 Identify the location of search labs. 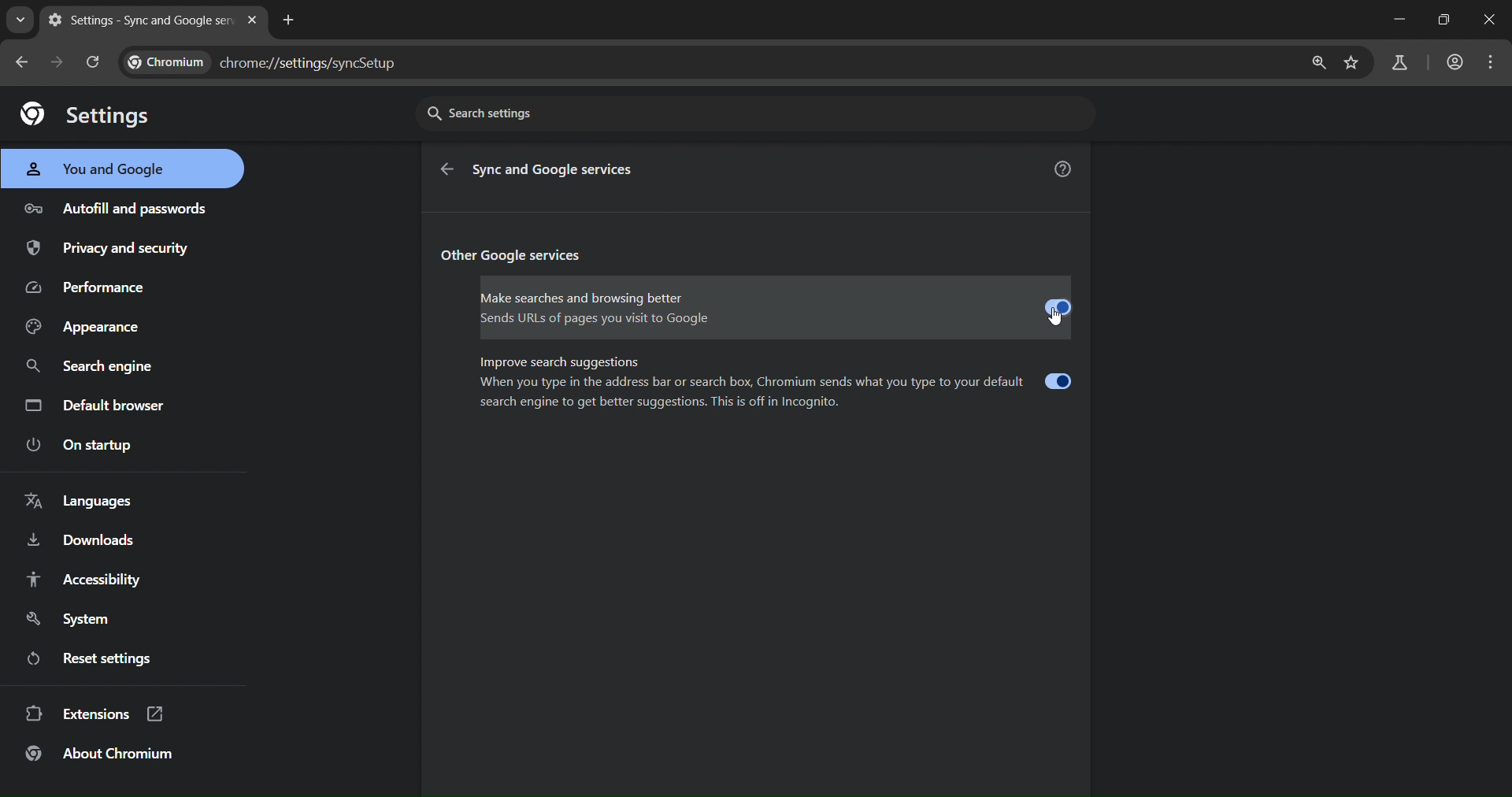
(1399, 63).